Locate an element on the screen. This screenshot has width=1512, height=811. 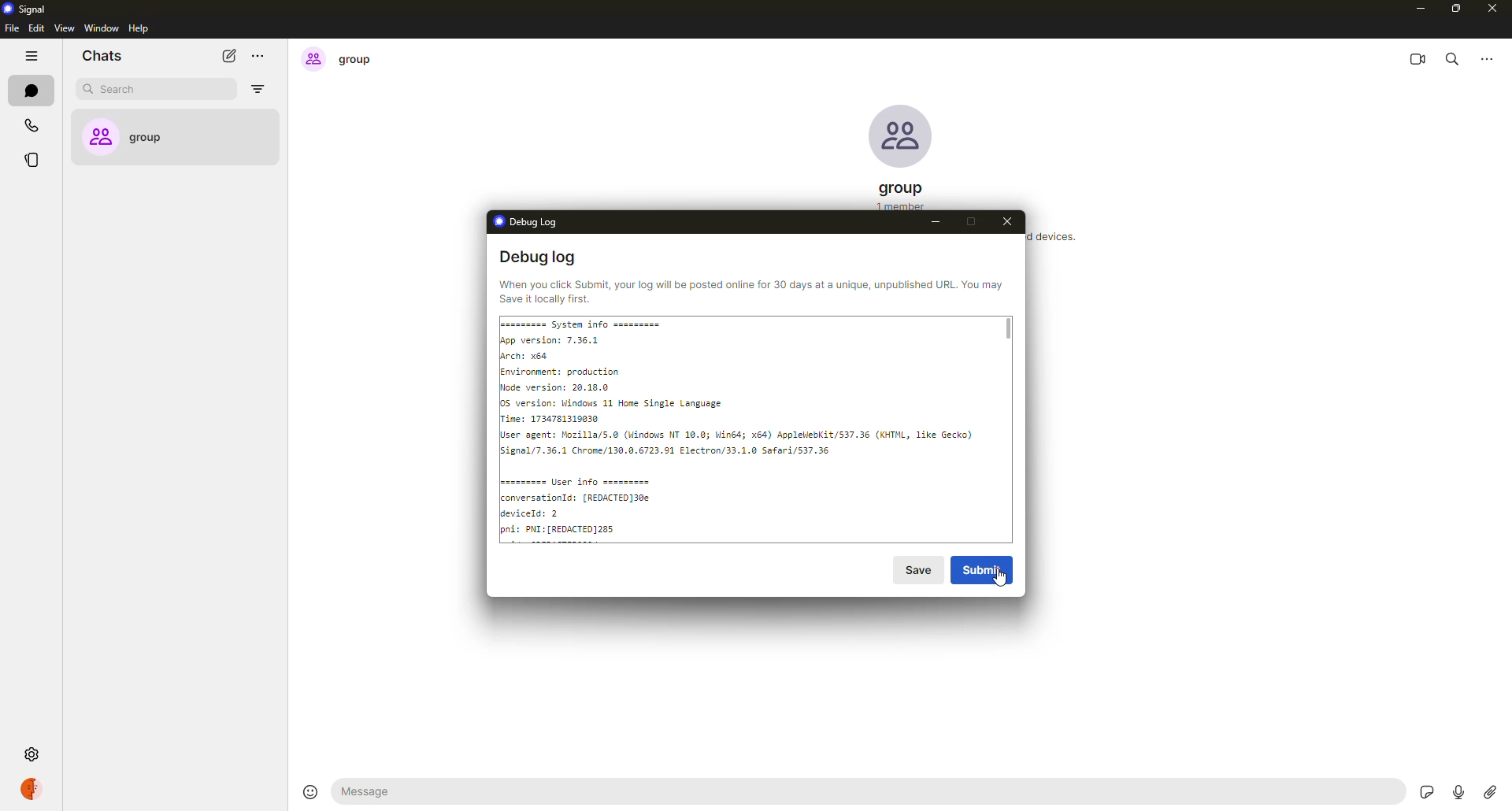
submit is located at coordinates (986, 568).